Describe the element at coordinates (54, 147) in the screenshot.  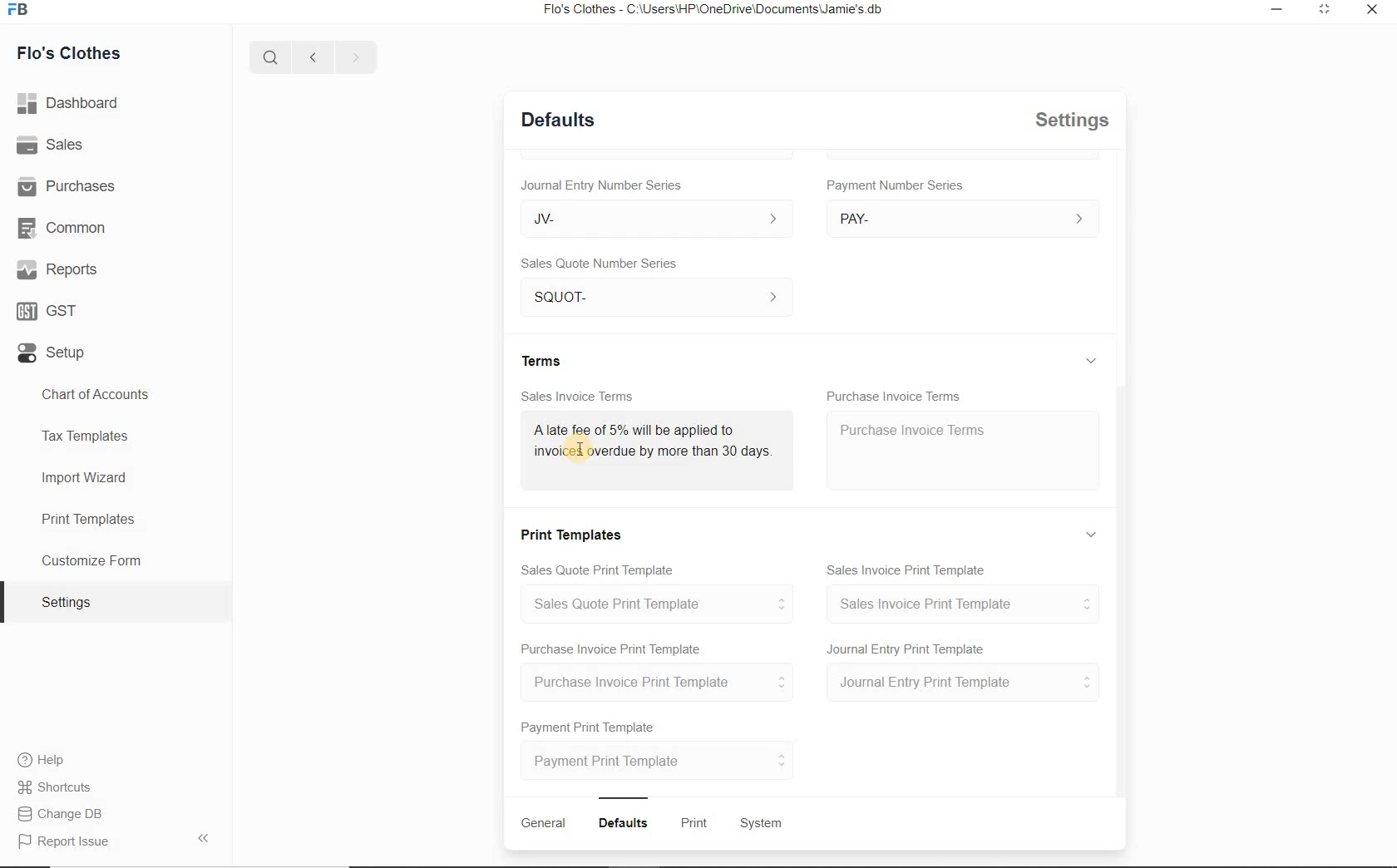
I see `Sales` at that location.